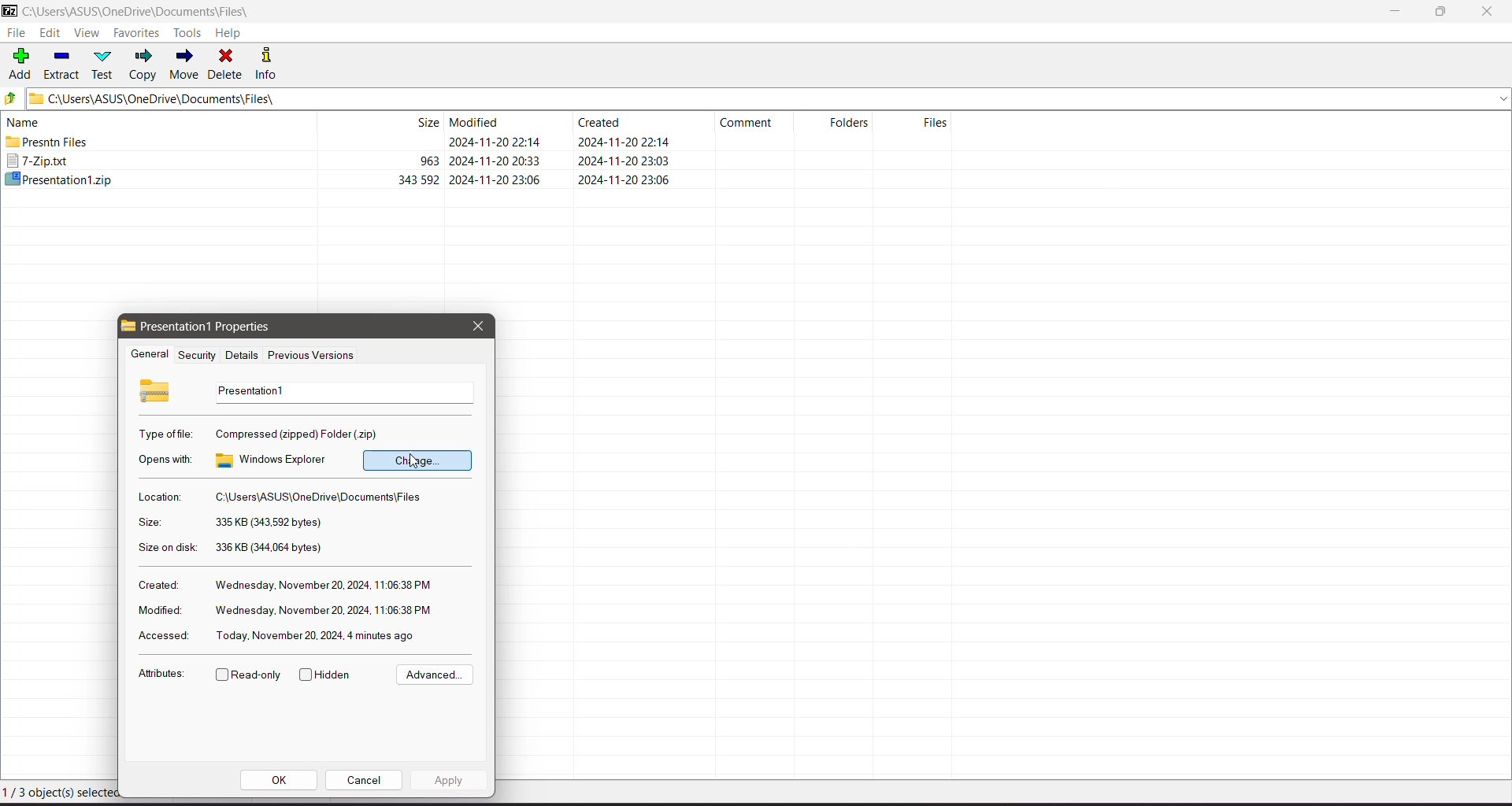 Image resolution: width=1512 pixels, height=806 pixels. Describe the element at coordinates (161, 676) in the screenshot. I see `Attributes` at that location.